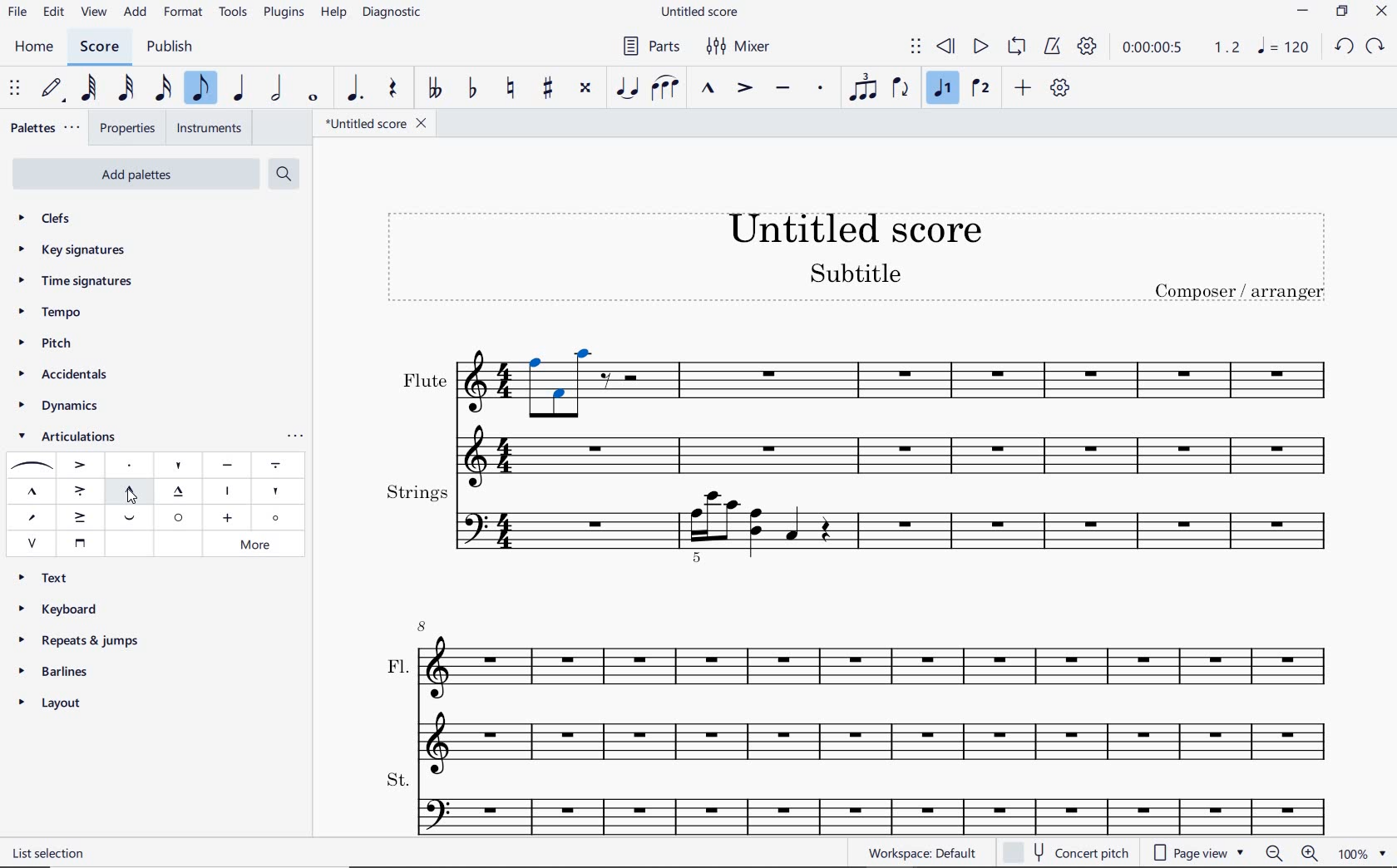 Image resolution: width=1397 pixels, height=868 pixels. I want to click on TOOLS, so click(234, 13).